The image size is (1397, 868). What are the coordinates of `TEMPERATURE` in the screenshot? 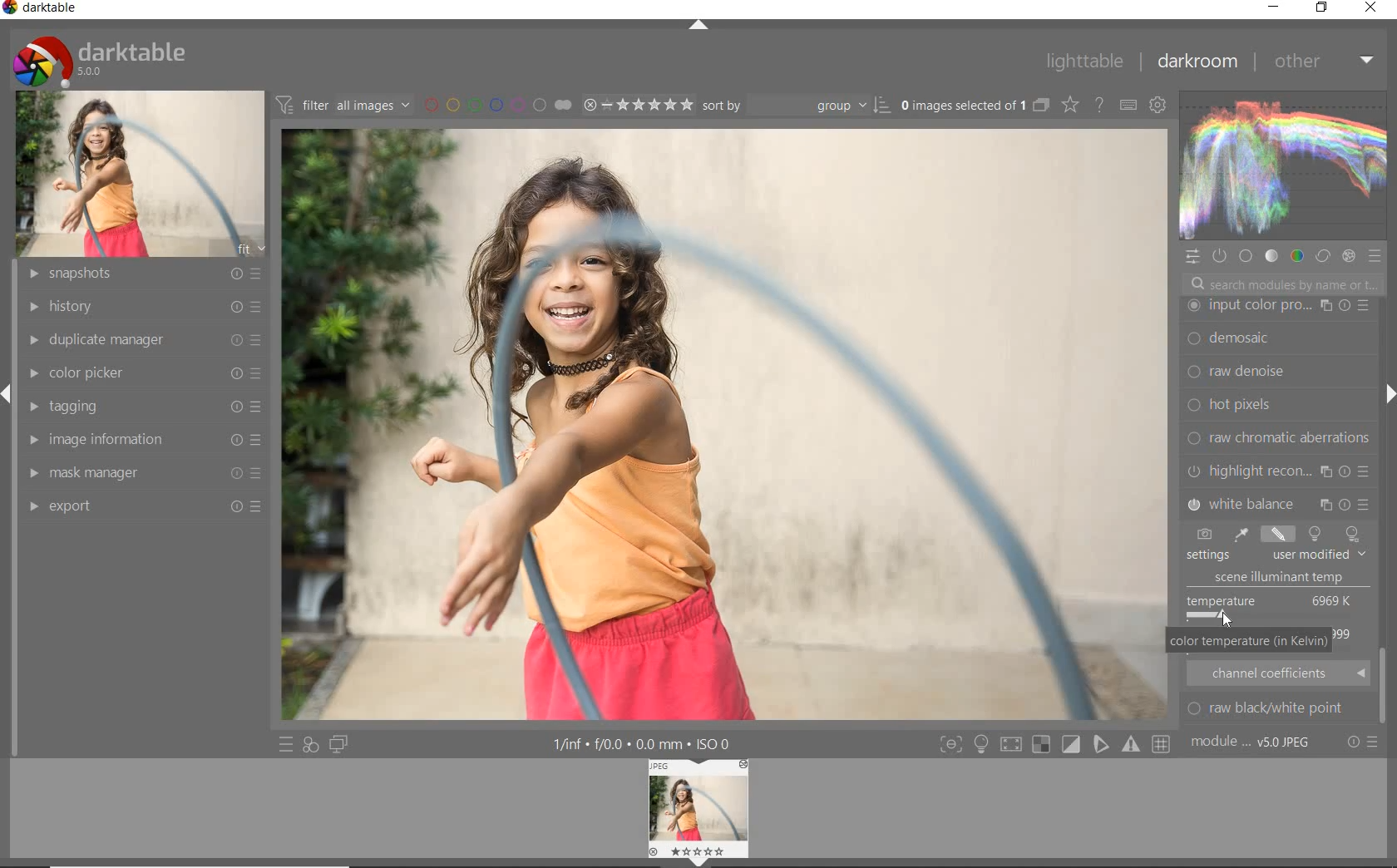 It's located at (1272, 607).